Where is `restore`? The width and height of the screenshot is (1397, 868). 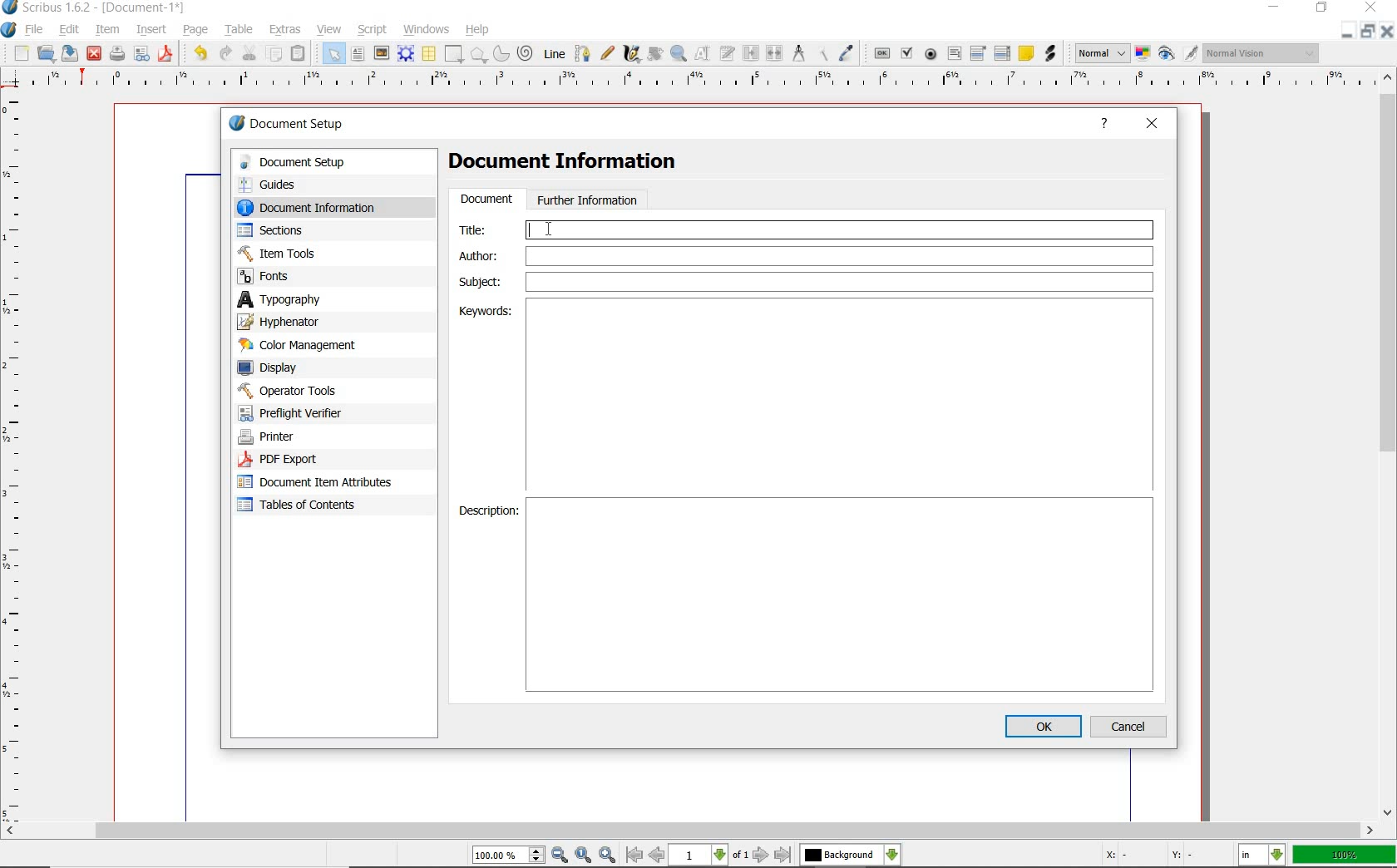
restore is located at coordinates (1370, 32).